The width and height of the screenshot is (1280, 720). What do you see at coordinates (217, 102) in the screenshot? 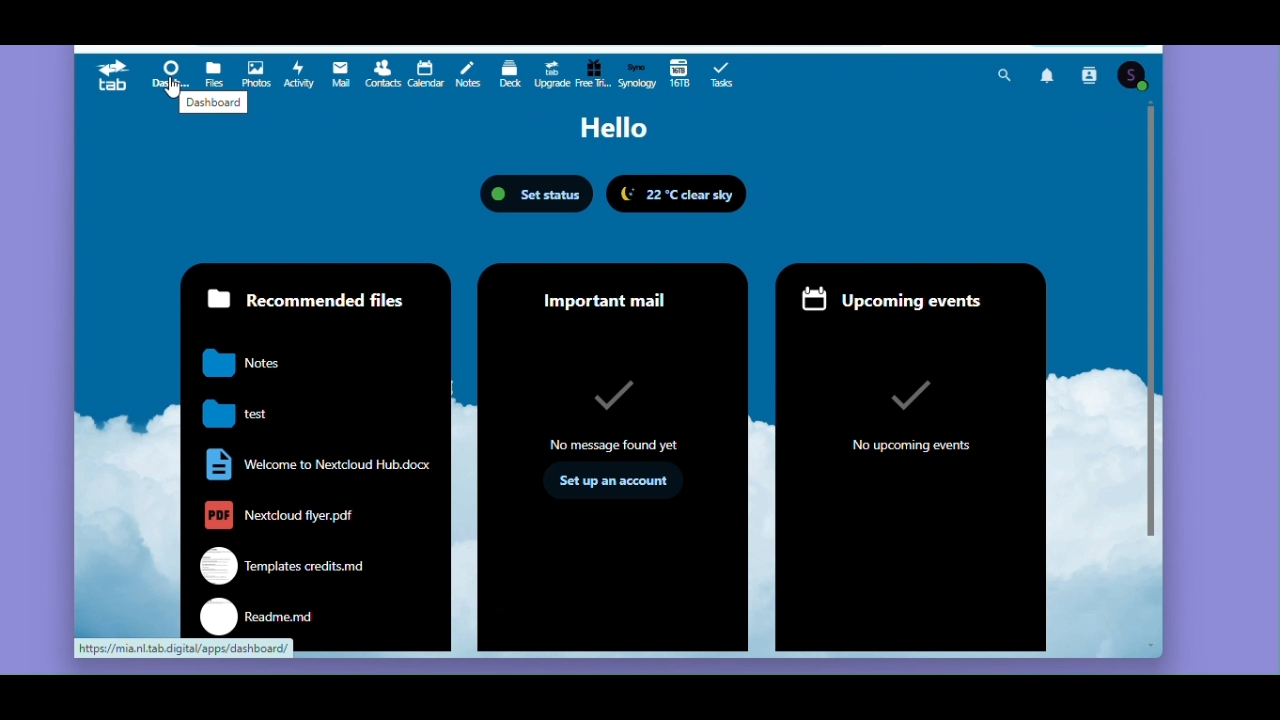
I see `Dashboard` at bounding box center [217, 102].